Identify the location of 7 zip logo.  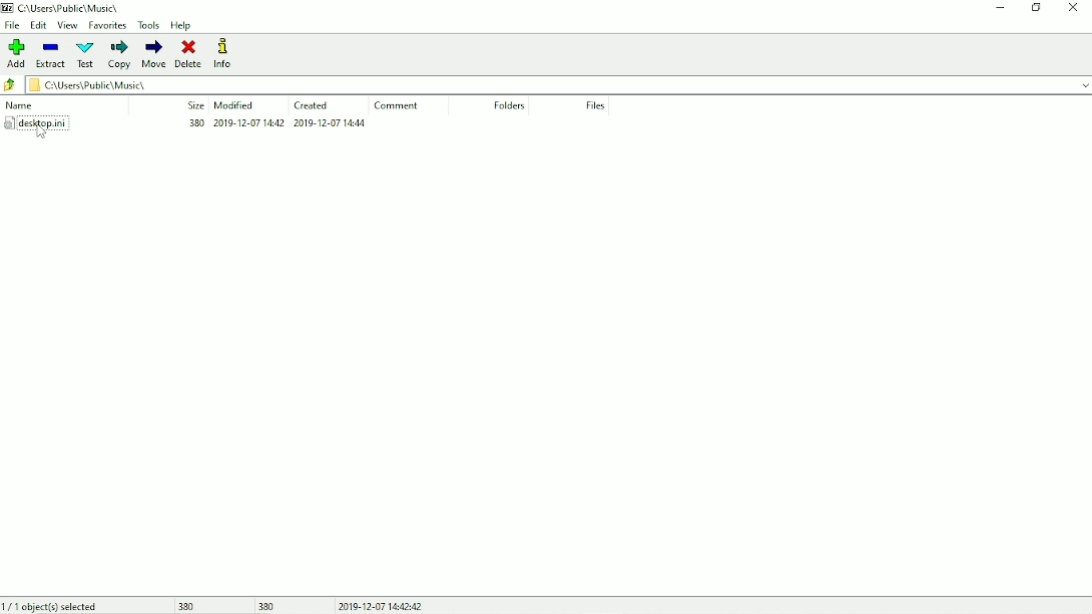
(9, 8).